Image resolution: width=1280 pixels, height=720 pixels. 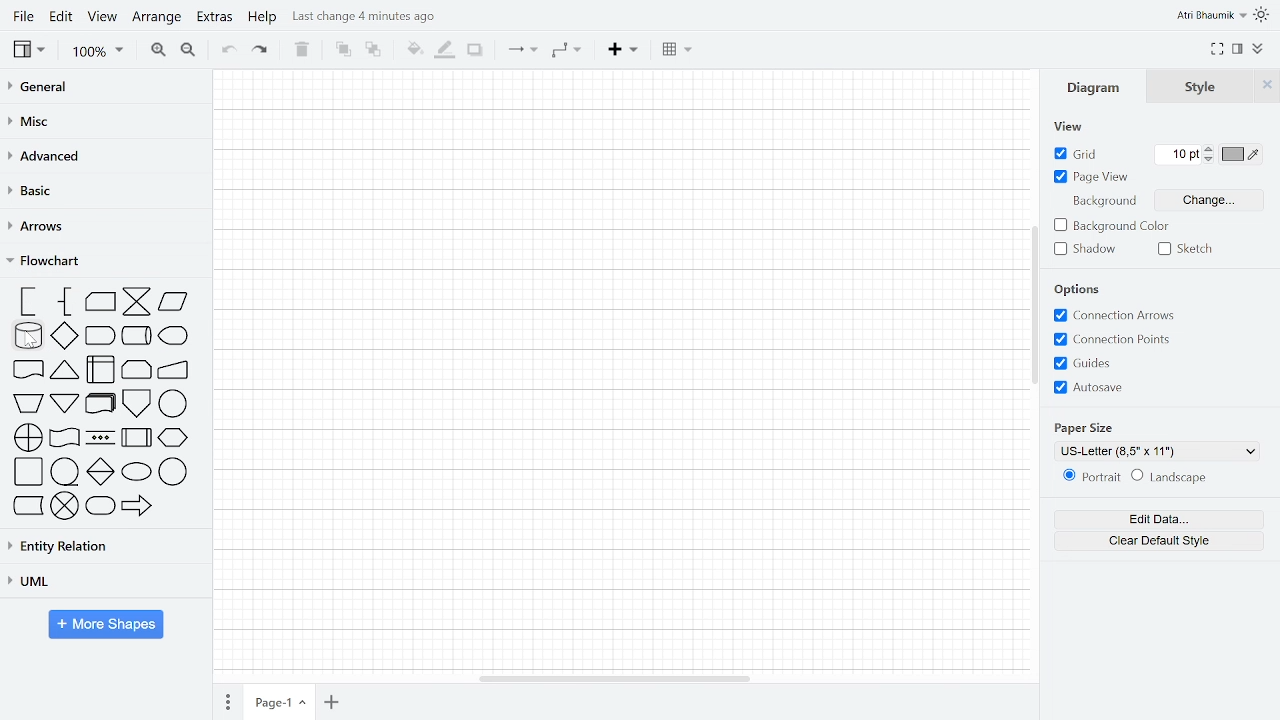 I want to click on off page reference , so click(x=137, y=404).